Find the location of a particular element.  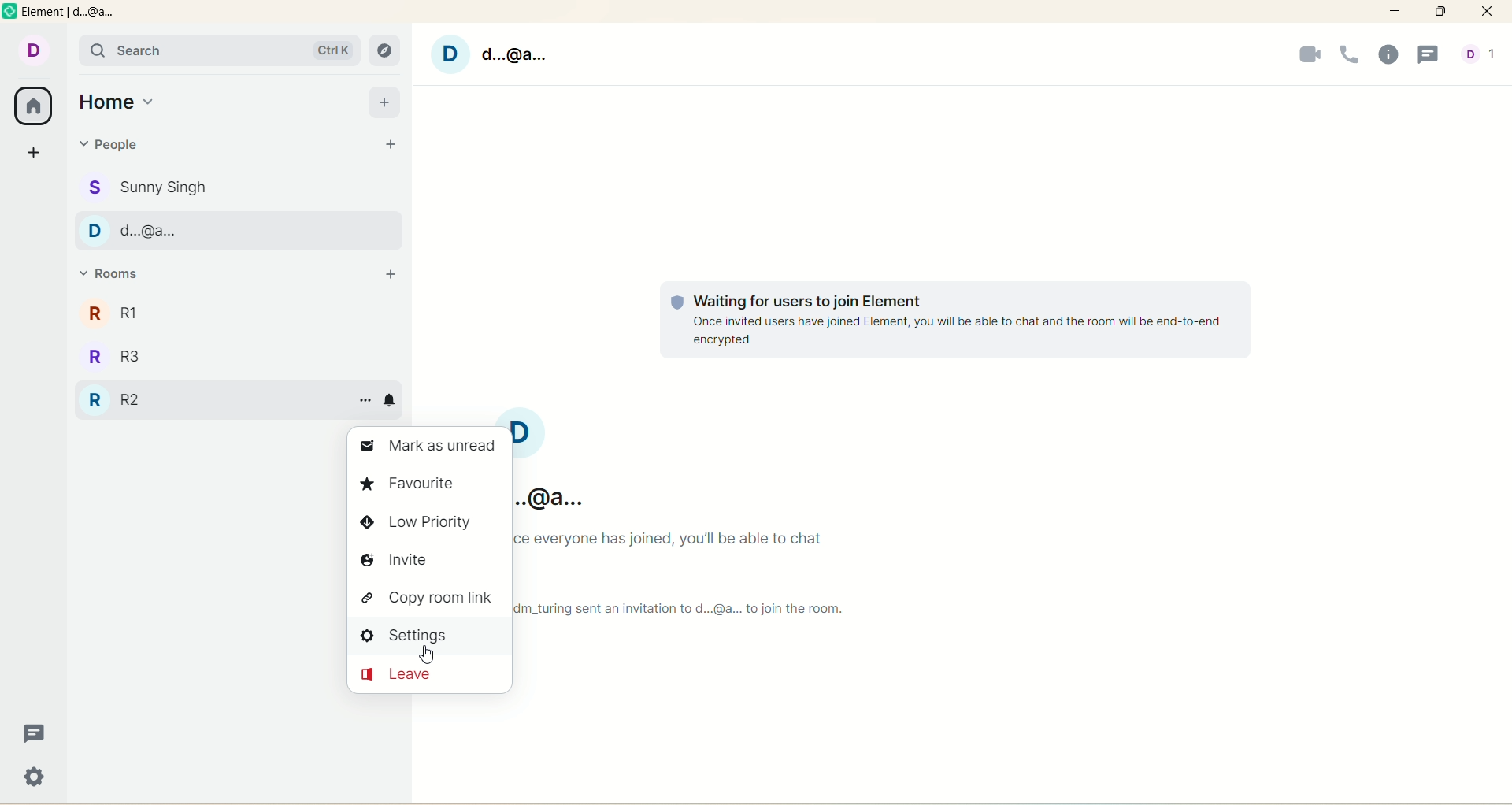

account is located at coordinates (498, 57).